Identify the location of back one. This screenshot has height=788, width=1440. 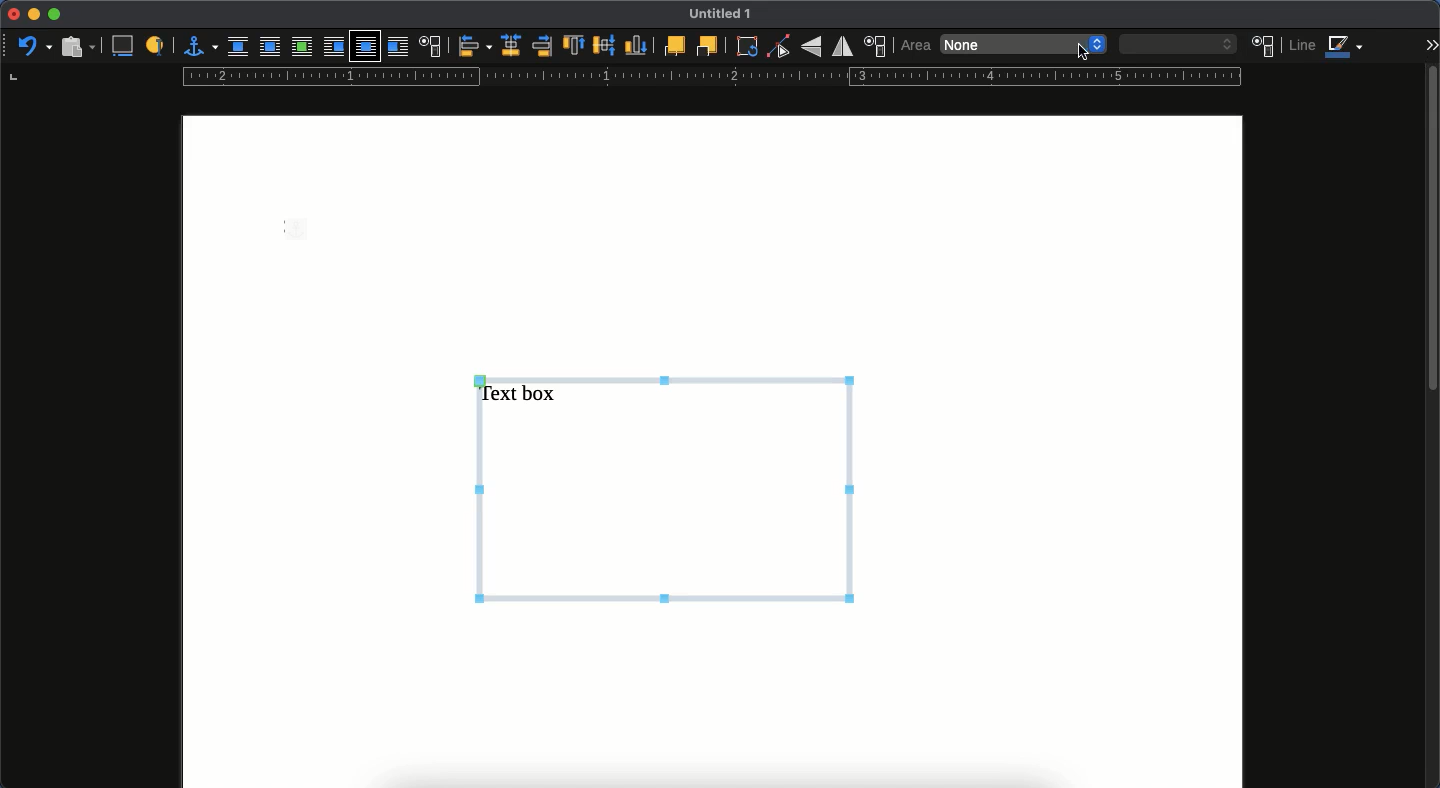
(707, 47).